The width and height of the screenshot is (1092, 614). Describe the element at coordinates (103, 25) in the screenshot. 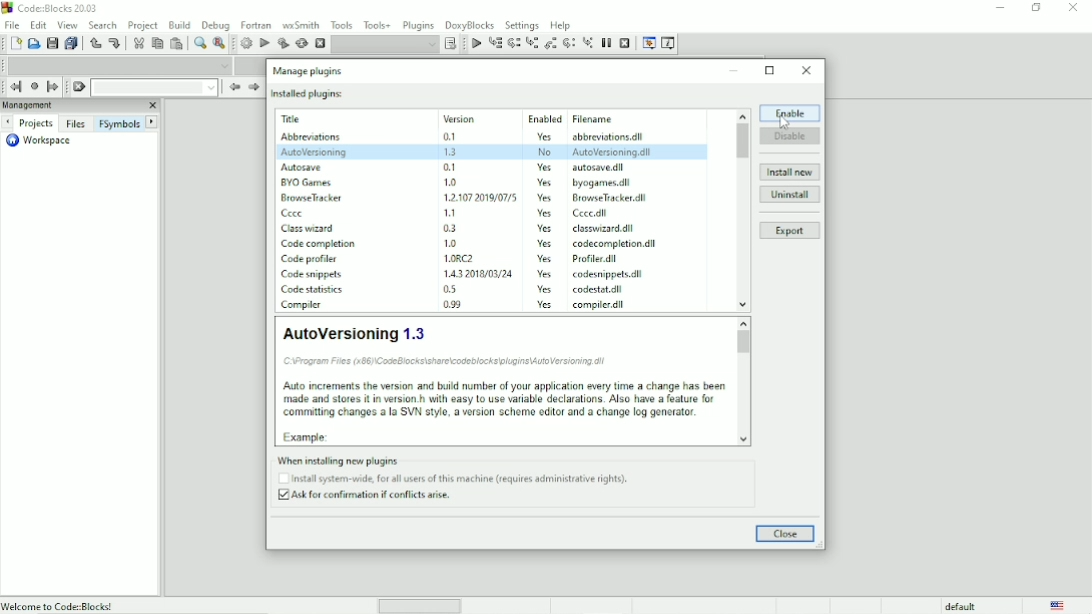

I see `Search` at that location.